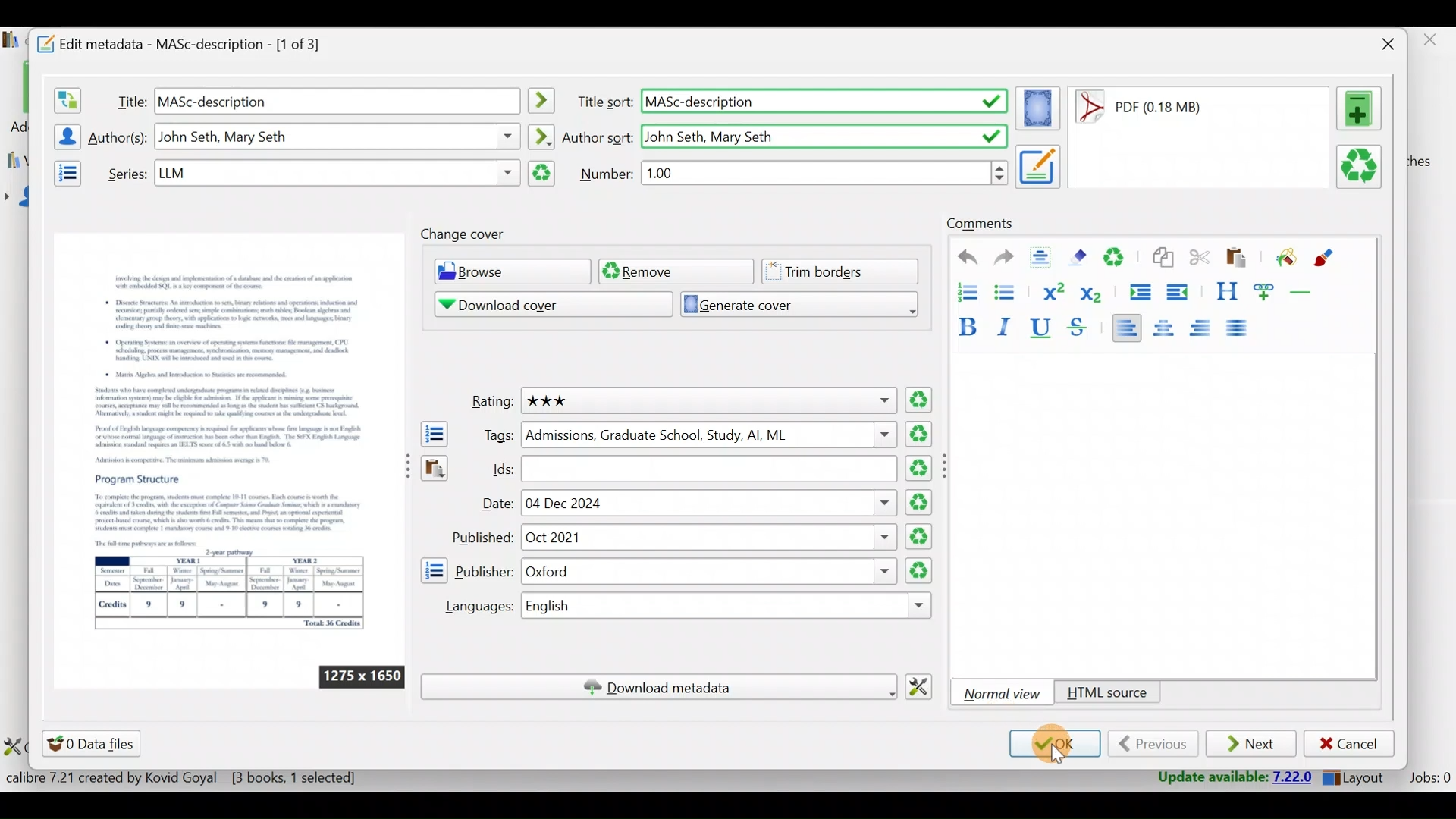 This screenshot has width=1456, height=819. I want to click on Clear publisher, so click(917, 570).